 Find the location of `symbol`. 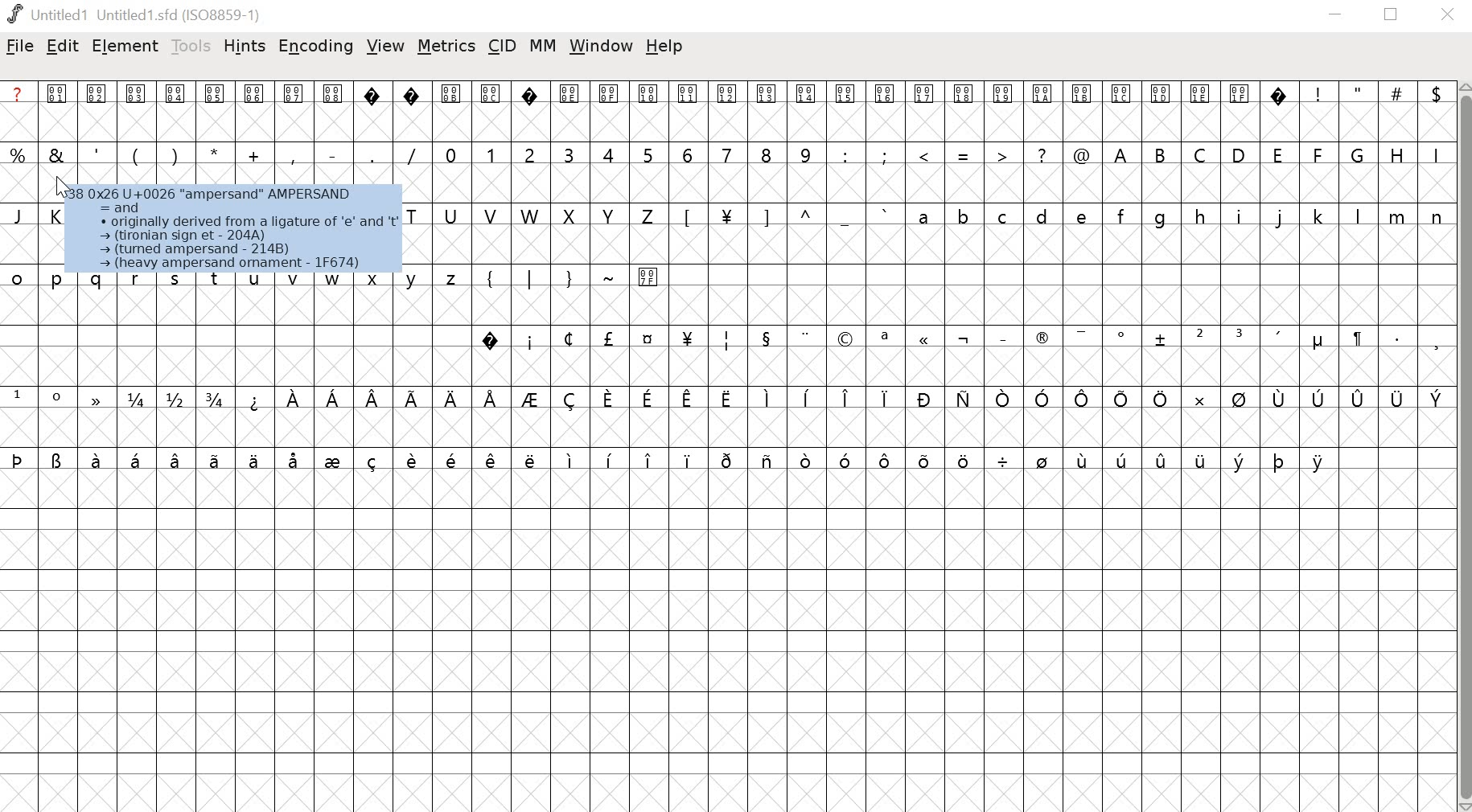

symbol is located at coordinates (571, 459).